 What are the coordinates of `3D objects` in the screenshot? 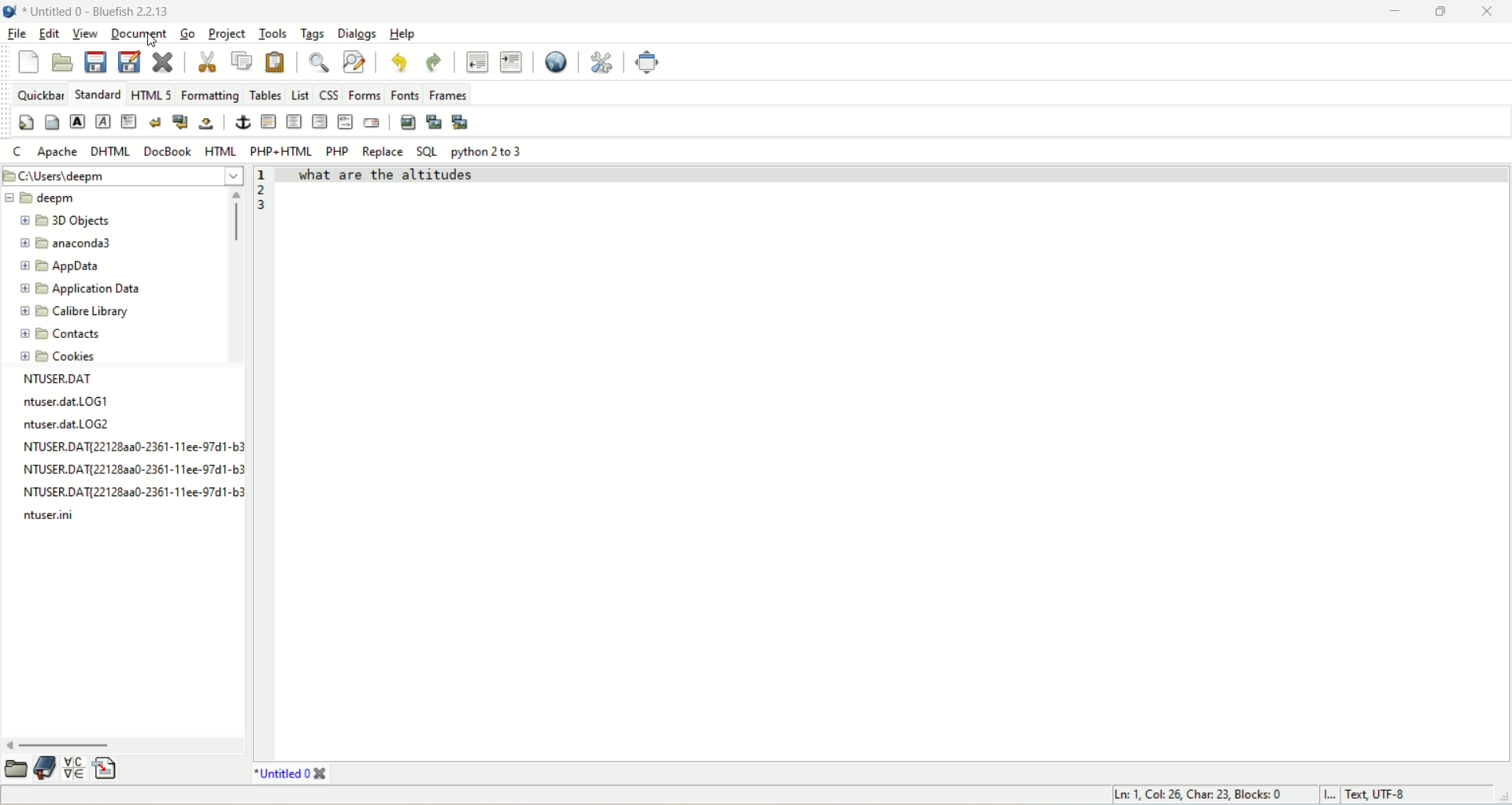 It's located at (70, 222).